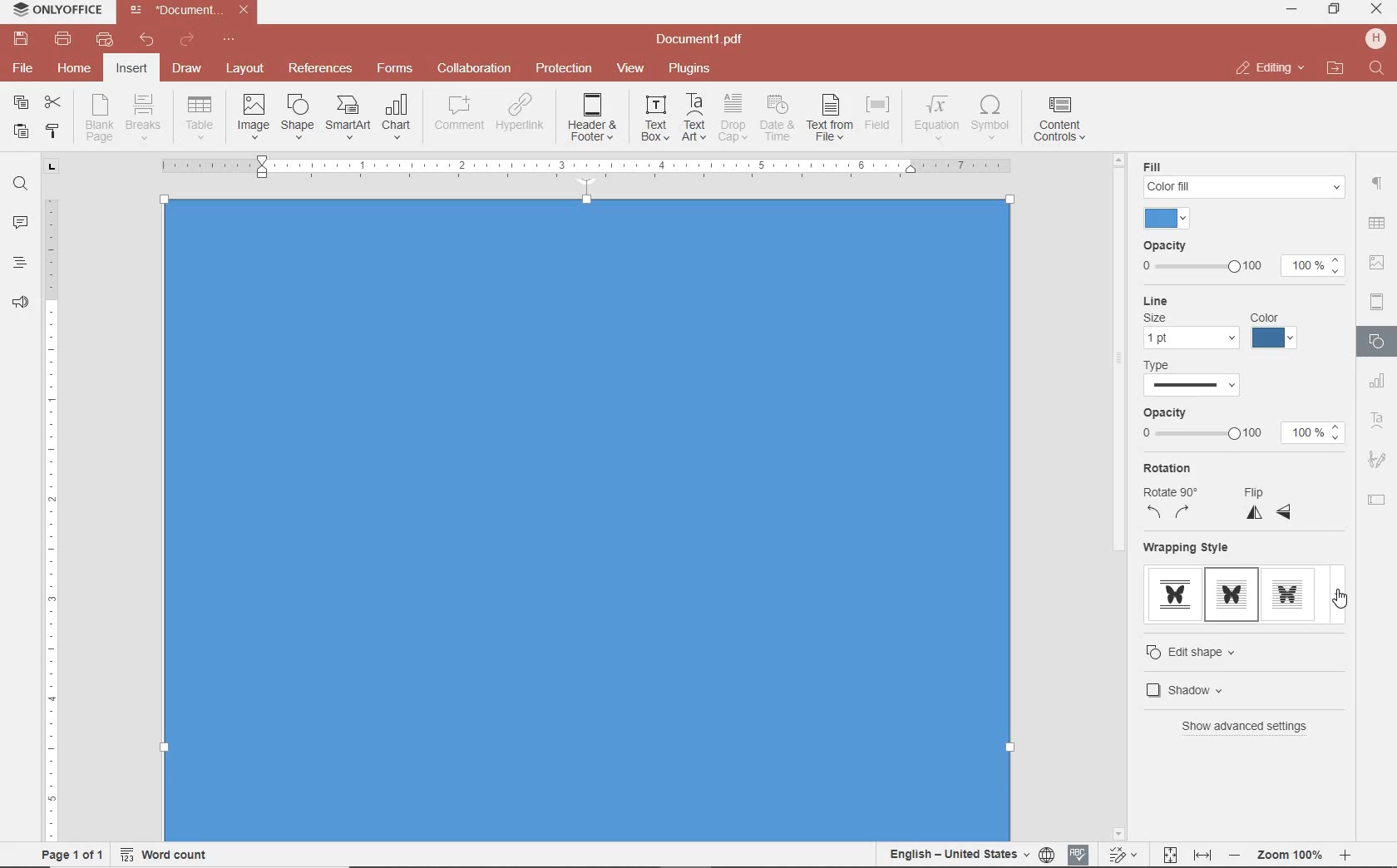 This screenshot has height=868, width=1397. I want to click on file, so click(24, 68).